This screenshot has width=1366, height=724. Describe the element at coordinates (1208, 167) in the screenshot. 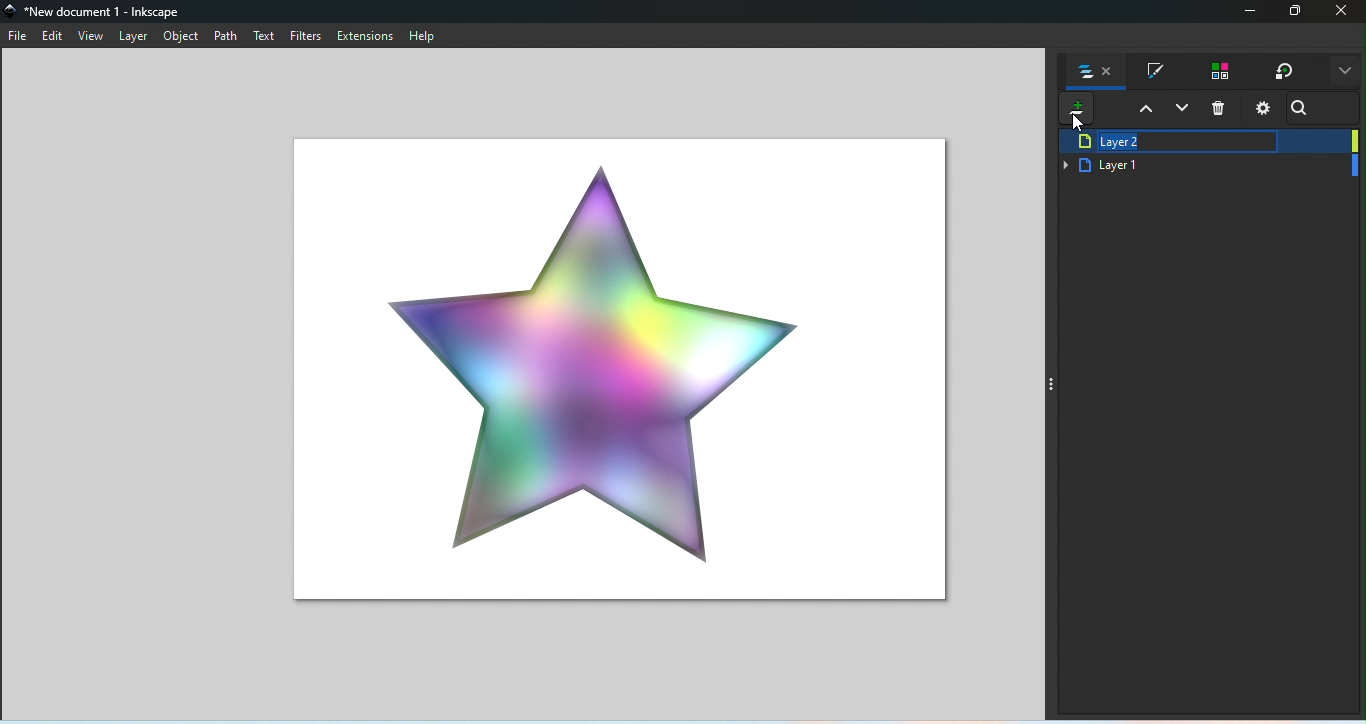

I see `Layer 1` at that location.